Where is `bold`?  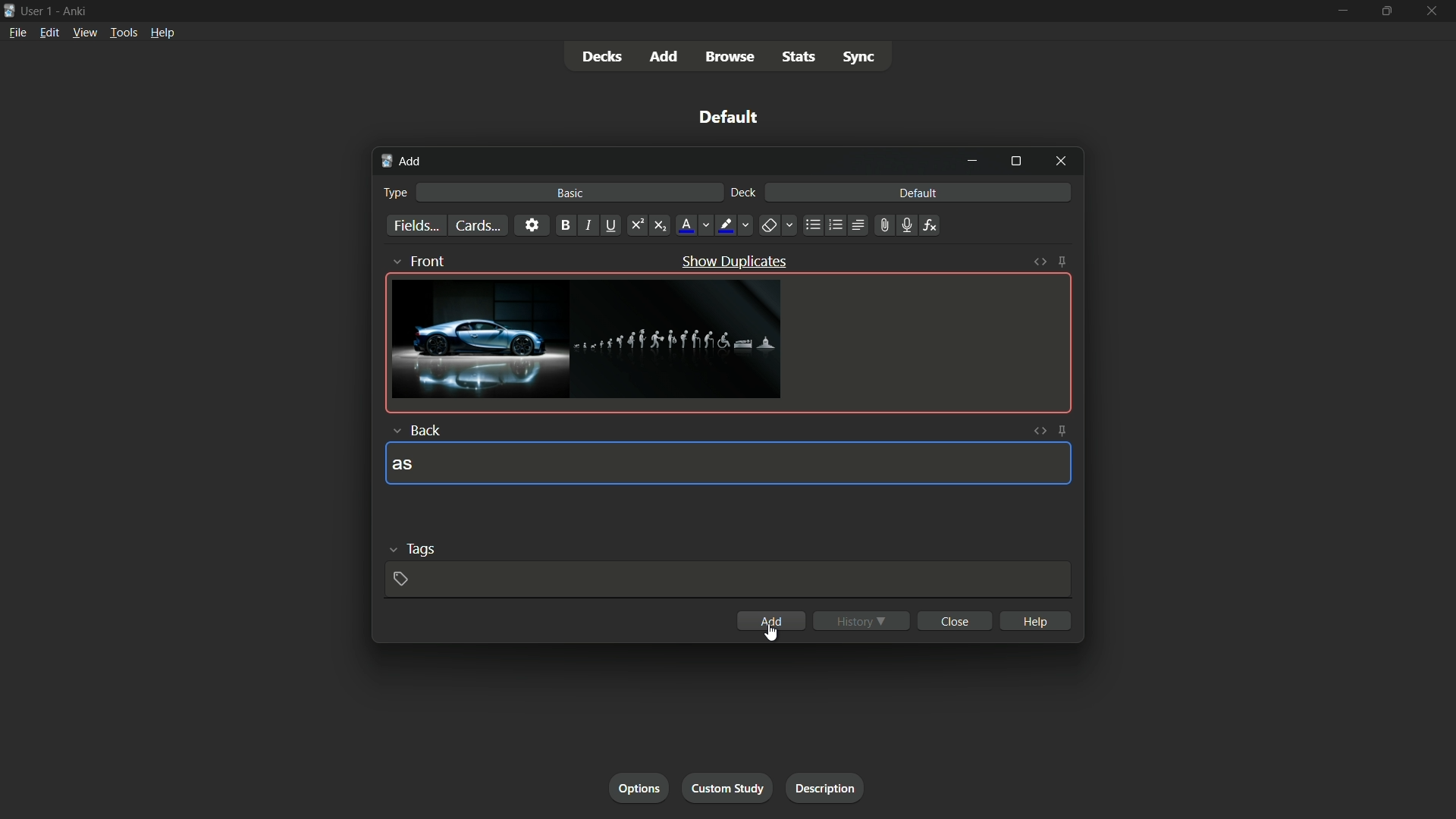 bold is located at coordinates (566, 225).